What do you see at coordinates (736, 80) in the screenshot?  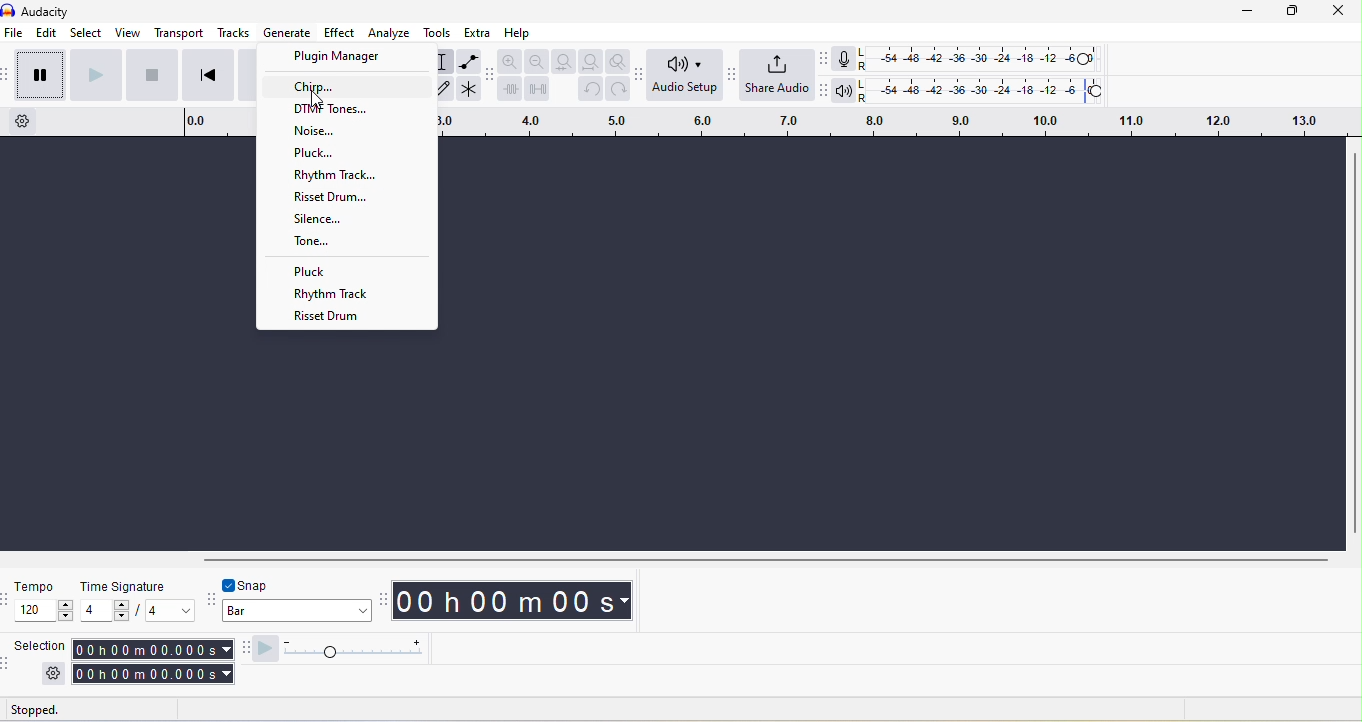 I see `audacity share audio toolbar` at bounding box center [736, 80].